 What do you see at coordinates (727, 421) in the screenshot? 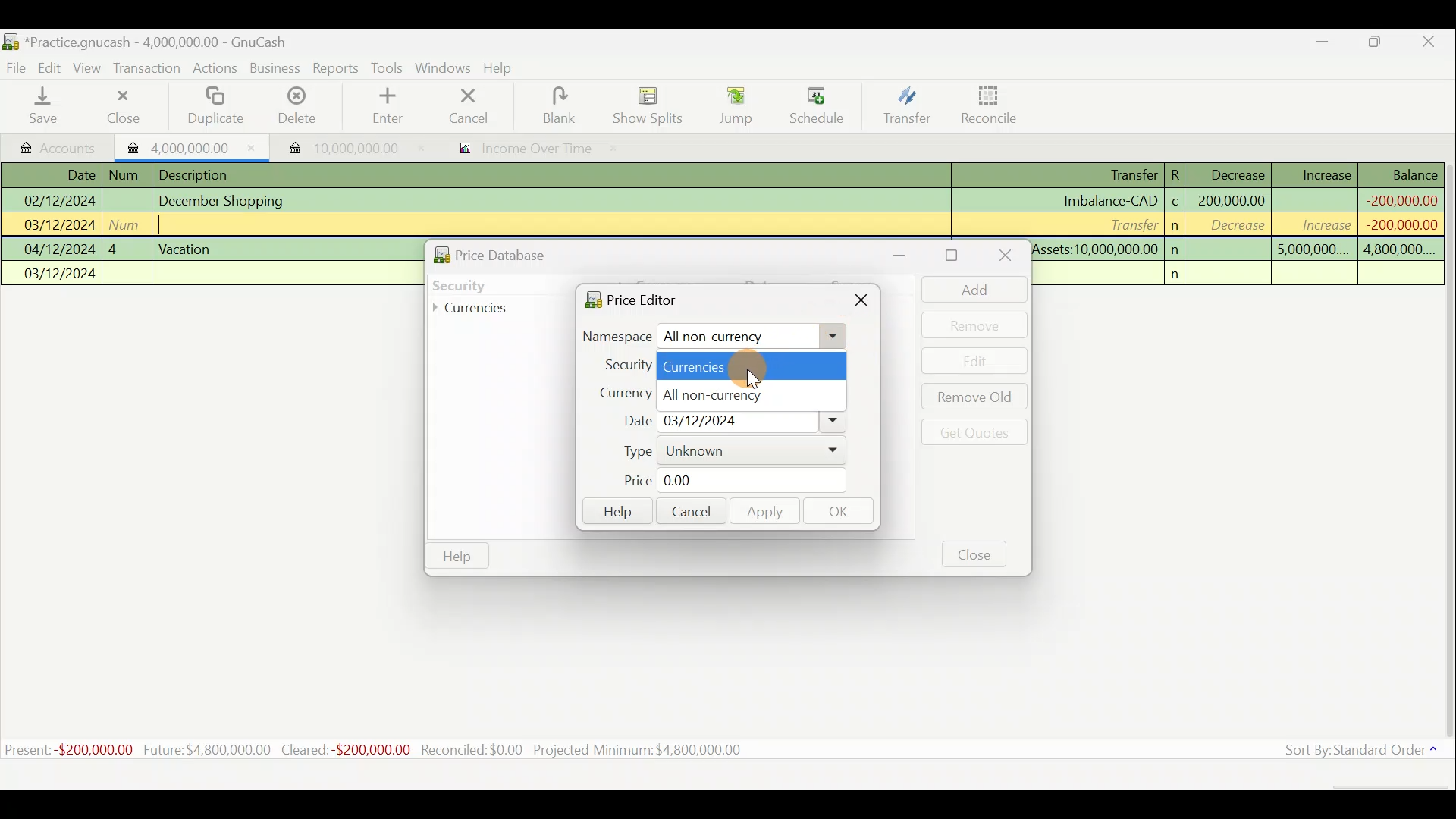
I see `Date` at bounding box center [727, 421].